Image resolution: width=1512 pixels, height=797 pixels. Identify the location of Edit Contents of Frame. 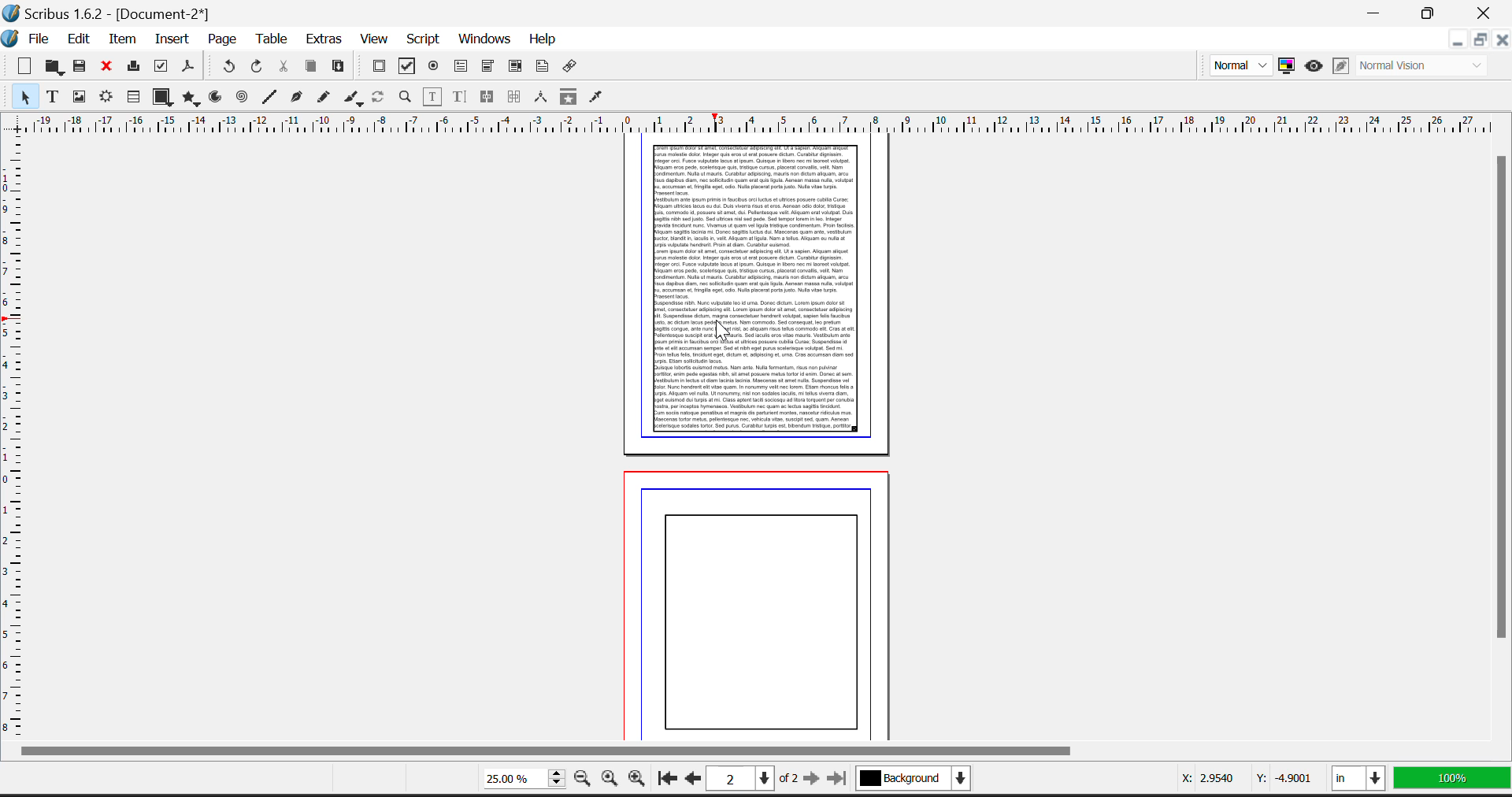
(431, 96).